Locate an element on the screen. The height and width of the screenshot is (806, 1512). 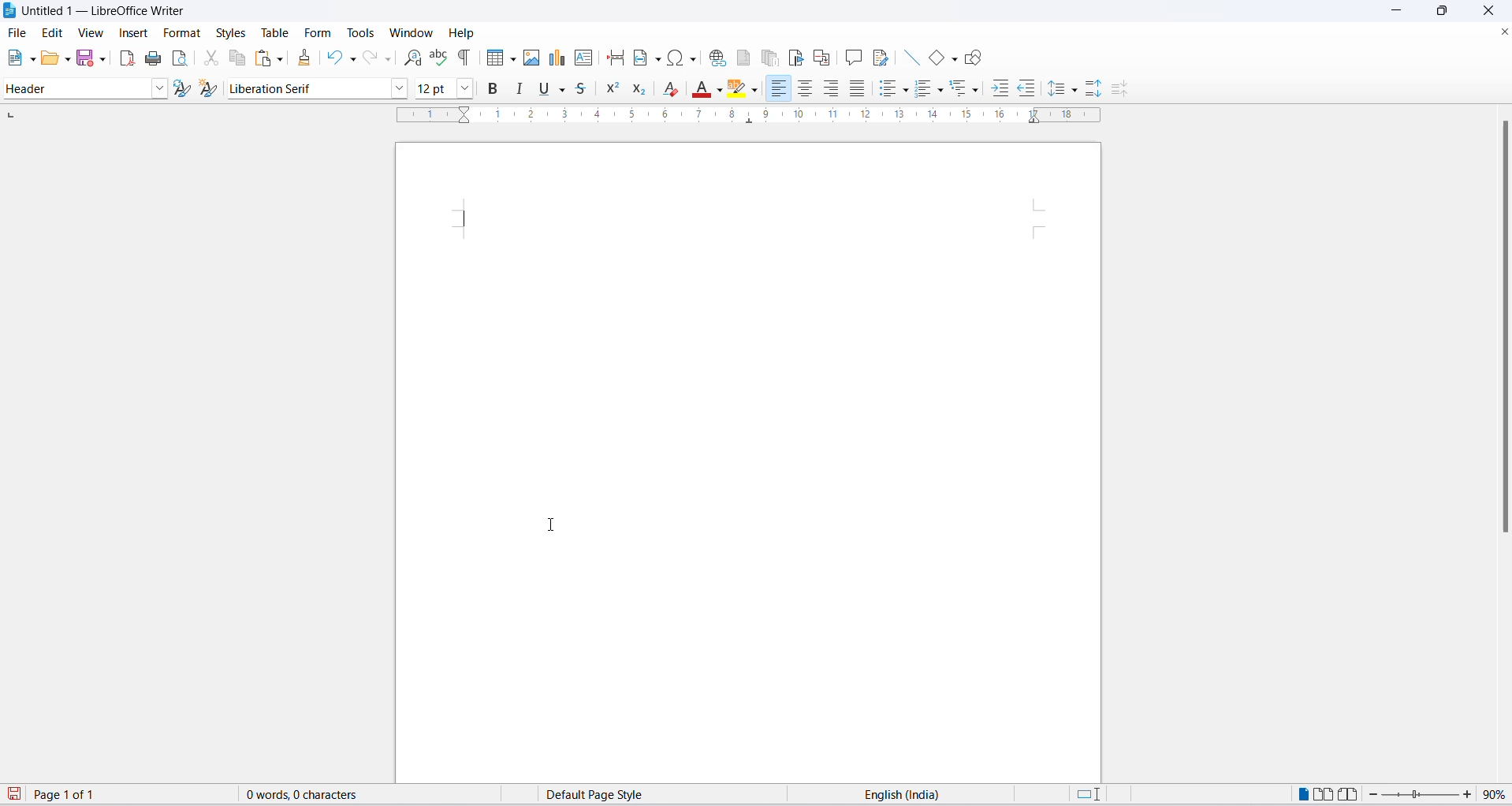
print preview is located at coordinates (181, 58).